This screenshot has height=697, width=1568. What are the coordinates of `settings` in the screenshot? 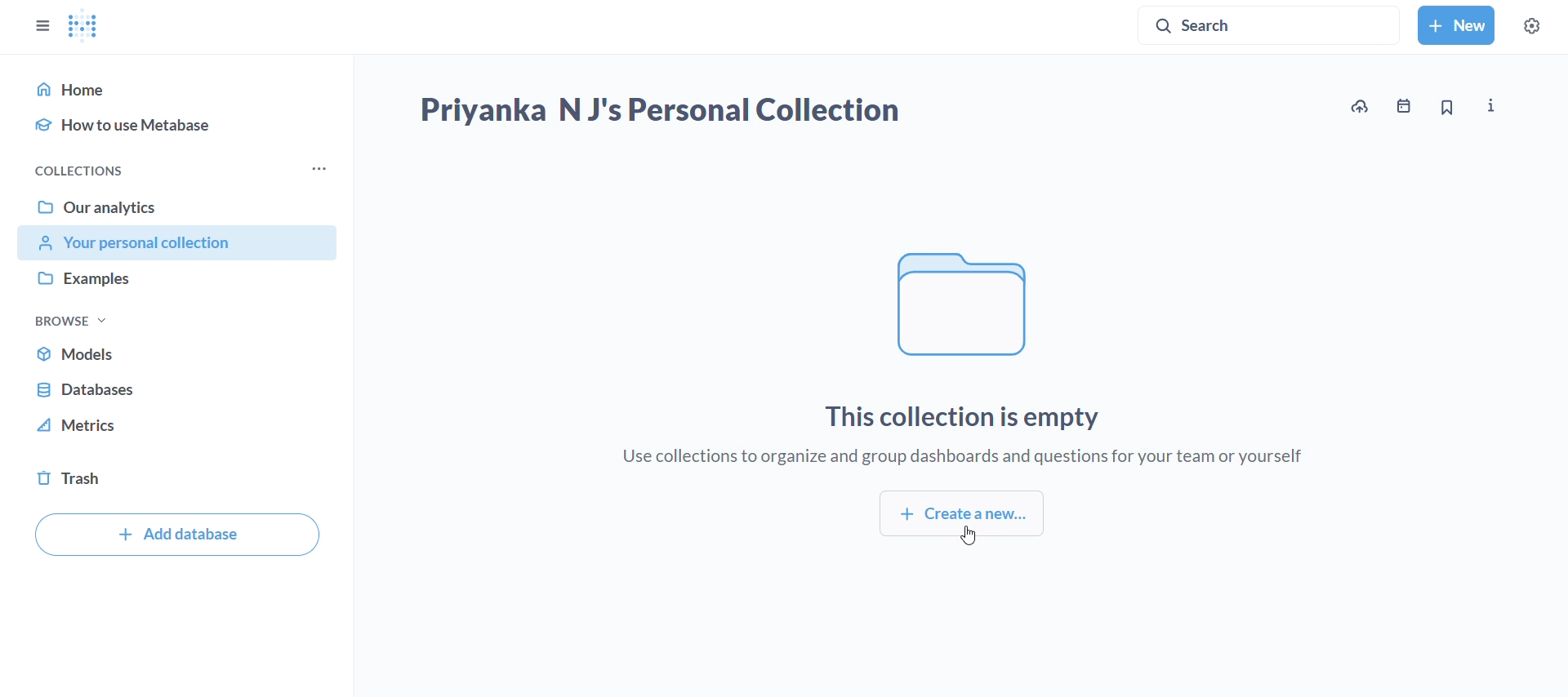 It's located at (1541, 23).